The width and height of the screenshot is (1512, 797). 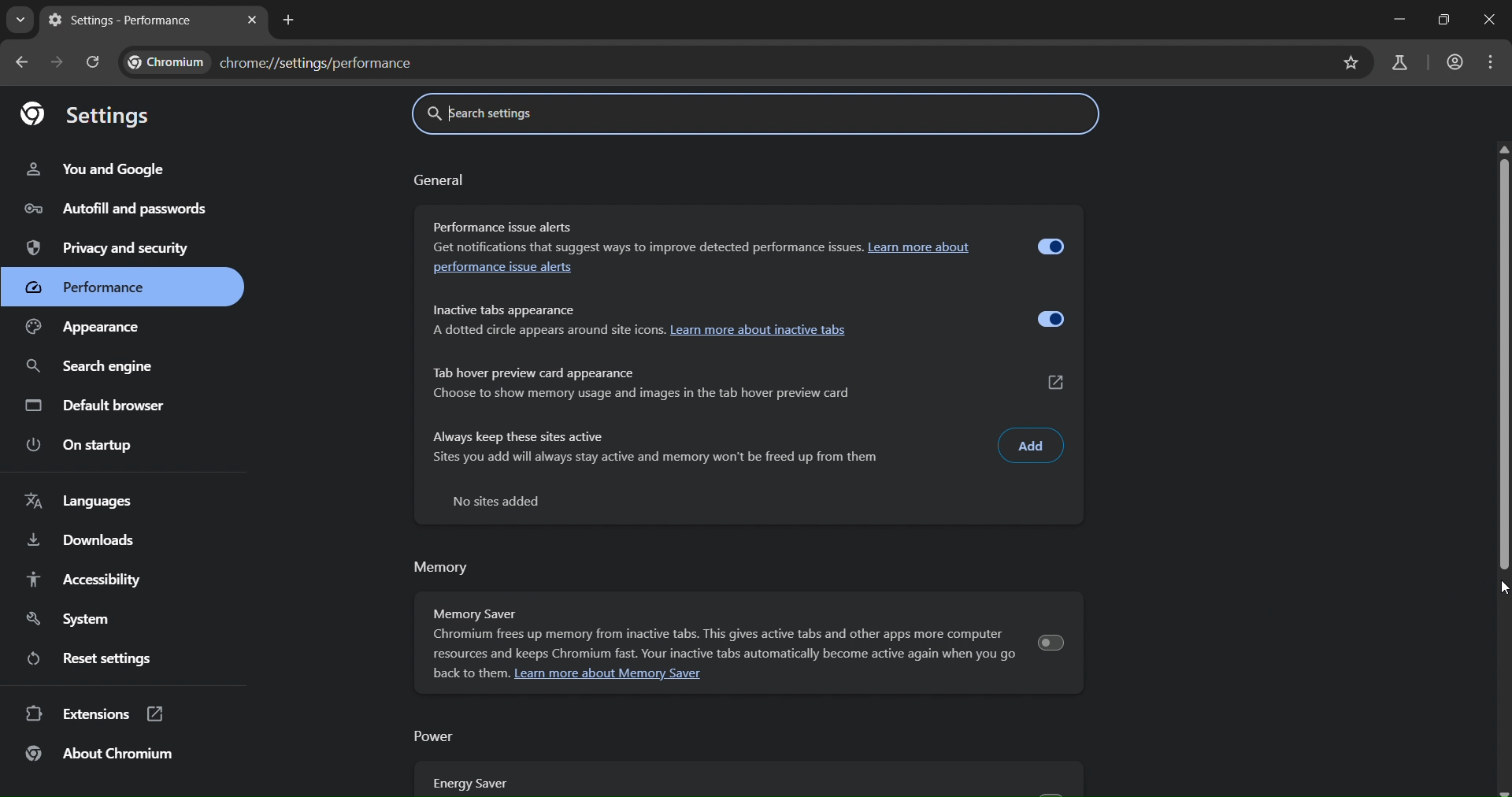 What do you see at coordinates (99, 364) in the screenshot?
I see `search engine` at bounding box center [99, 364].